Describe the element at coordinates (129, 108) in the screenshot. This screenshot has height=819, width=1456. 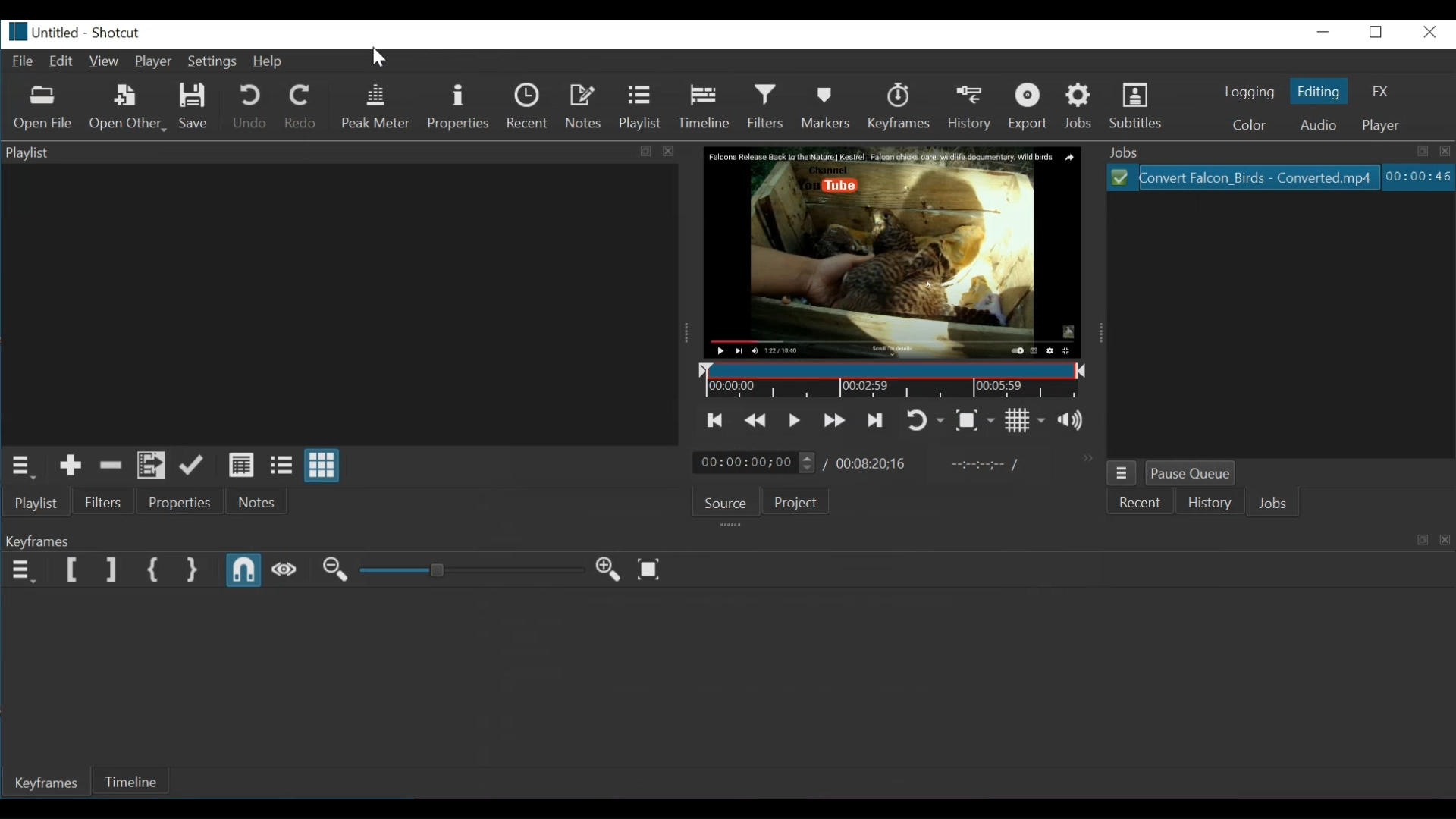
I see `Open Other` at that location.